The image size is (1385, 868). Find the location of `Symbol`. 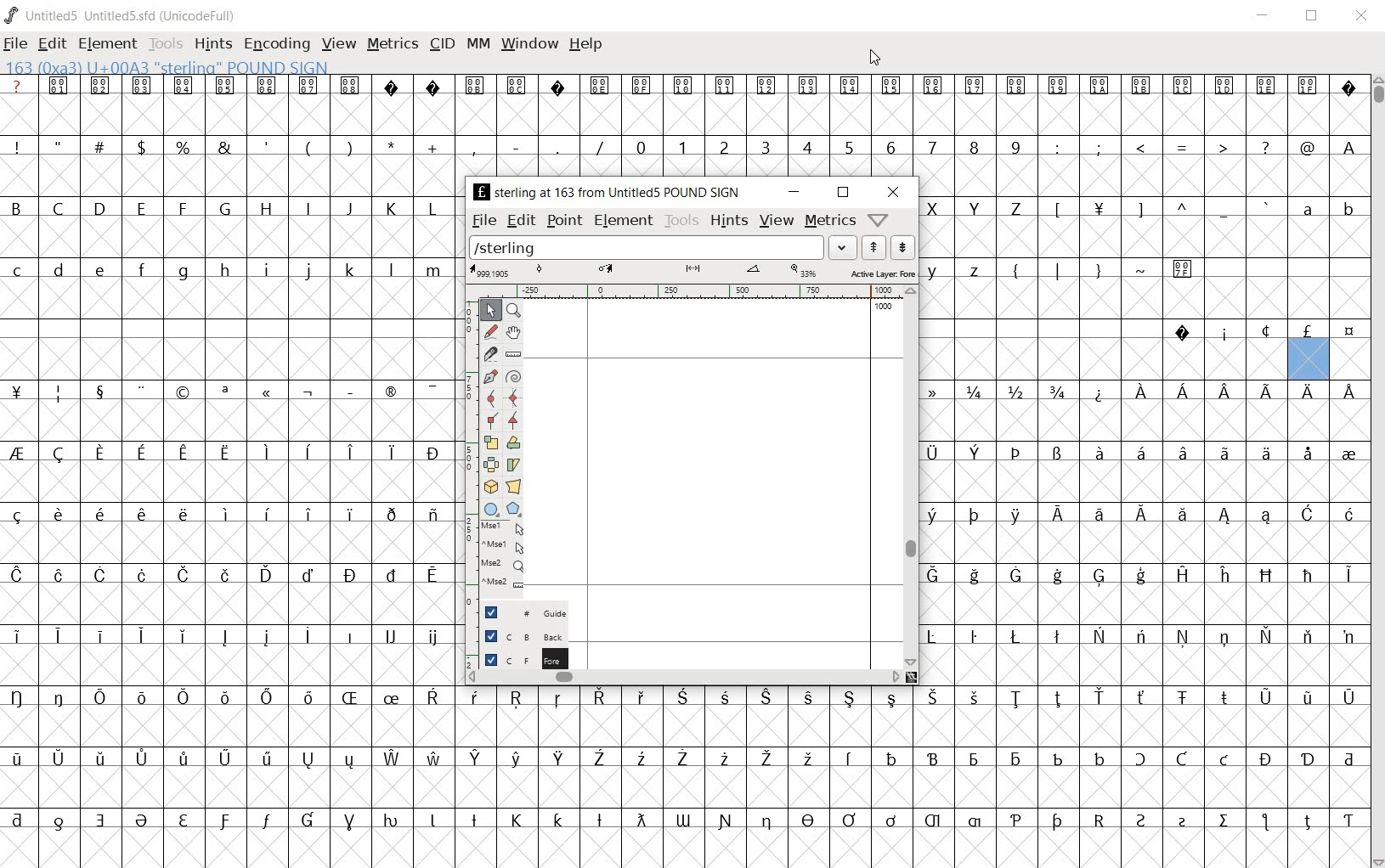

Symbol is located at coordinates (183, 697).